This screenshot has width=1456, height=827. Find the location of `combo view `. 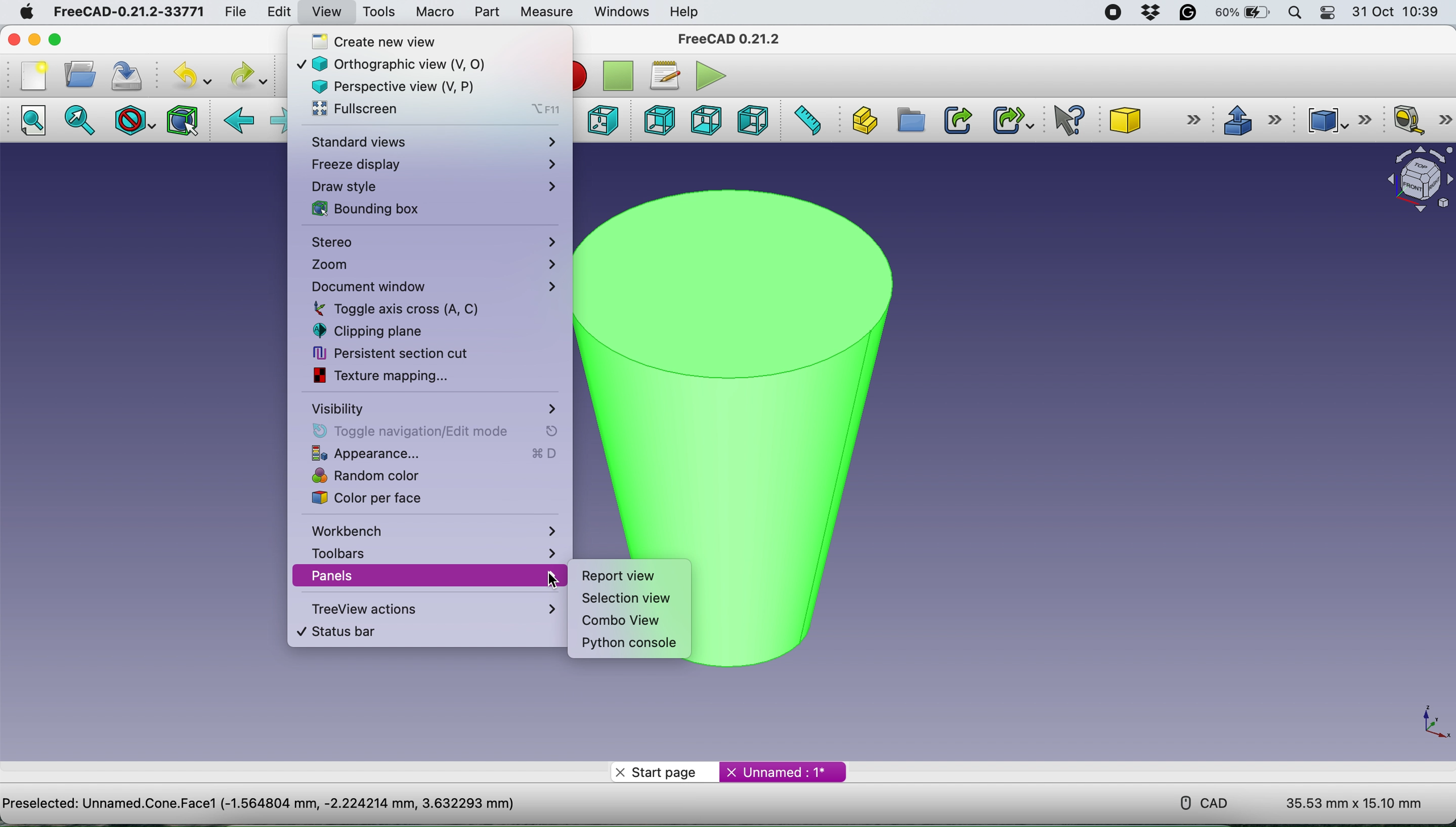

combo view  is located at coordinates (618, 621).